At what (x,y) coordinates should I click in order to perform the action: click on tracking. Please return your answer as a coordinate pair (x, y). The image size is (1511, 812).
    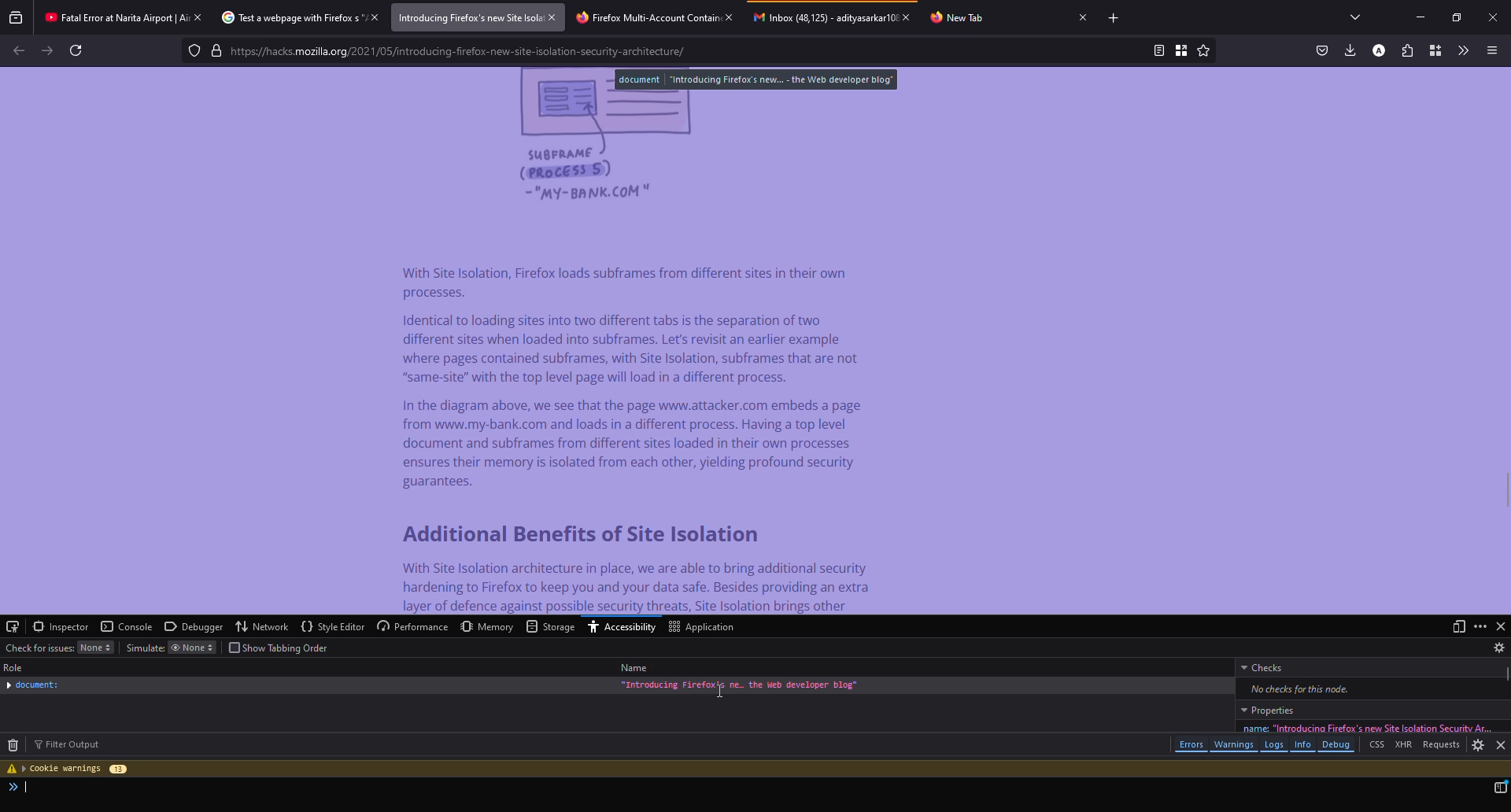
    Looking at the image, I should click on (194, 50).